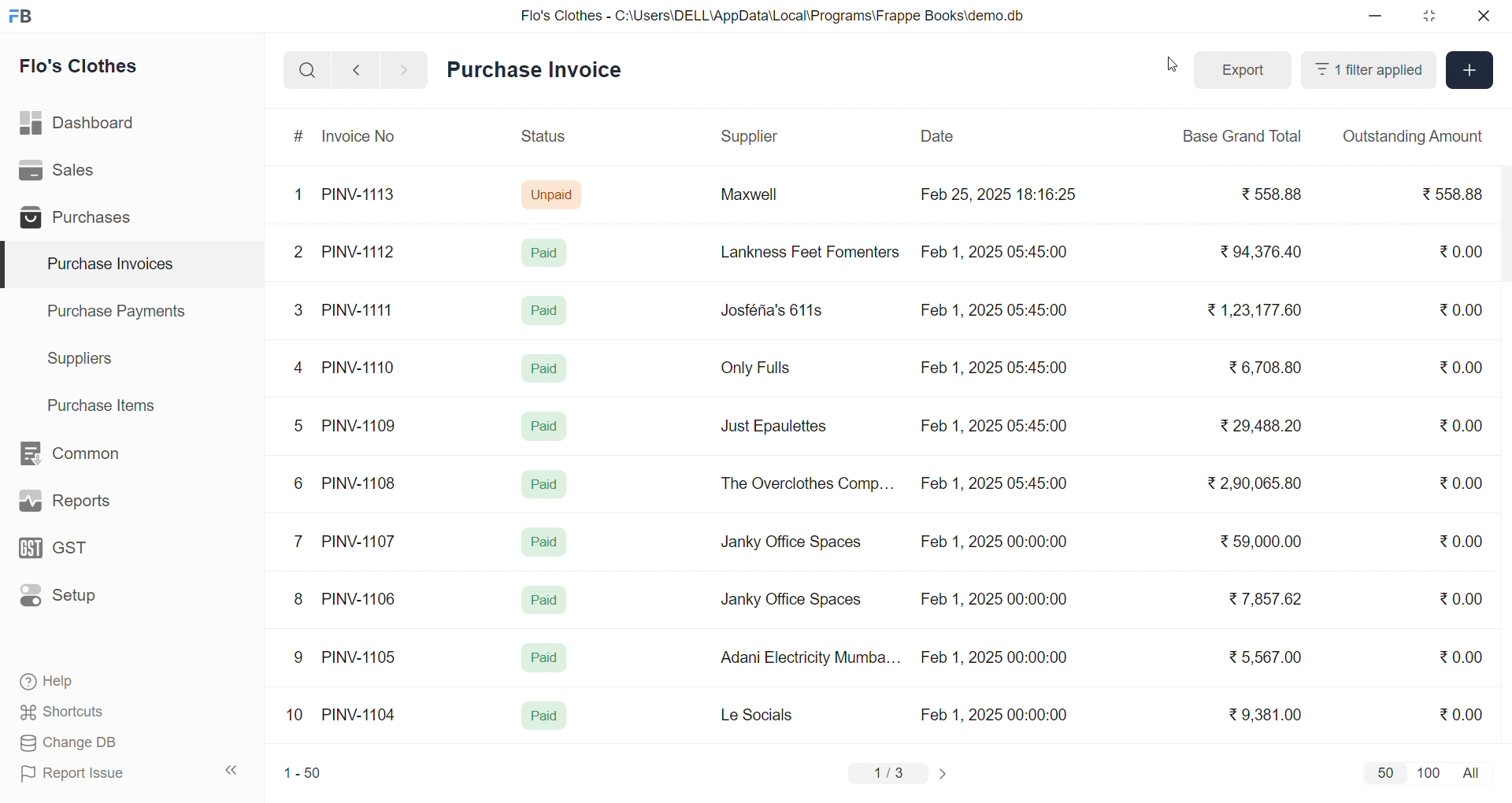  I want to click on 100, so click(1426, 772).